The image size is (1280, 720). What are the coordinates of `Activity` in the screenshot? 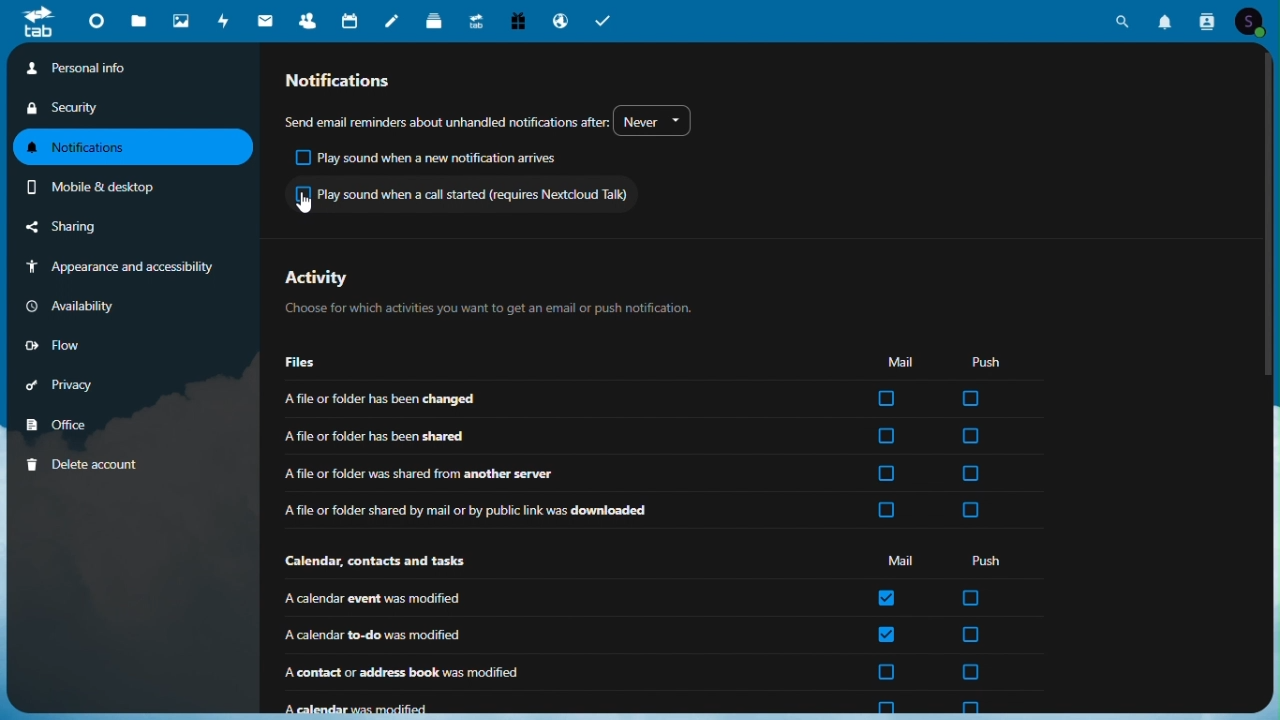 It's located at (224, 19).